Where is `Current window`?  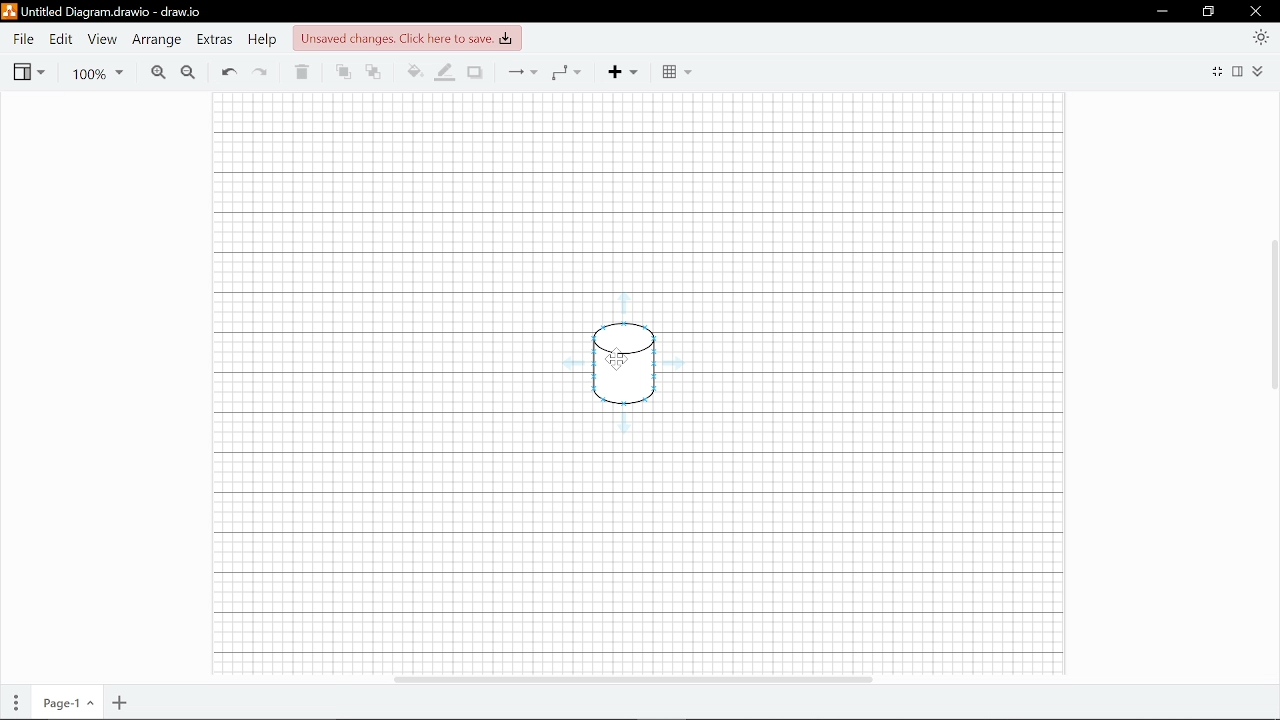 Current window is located at coordinates (100, 12).